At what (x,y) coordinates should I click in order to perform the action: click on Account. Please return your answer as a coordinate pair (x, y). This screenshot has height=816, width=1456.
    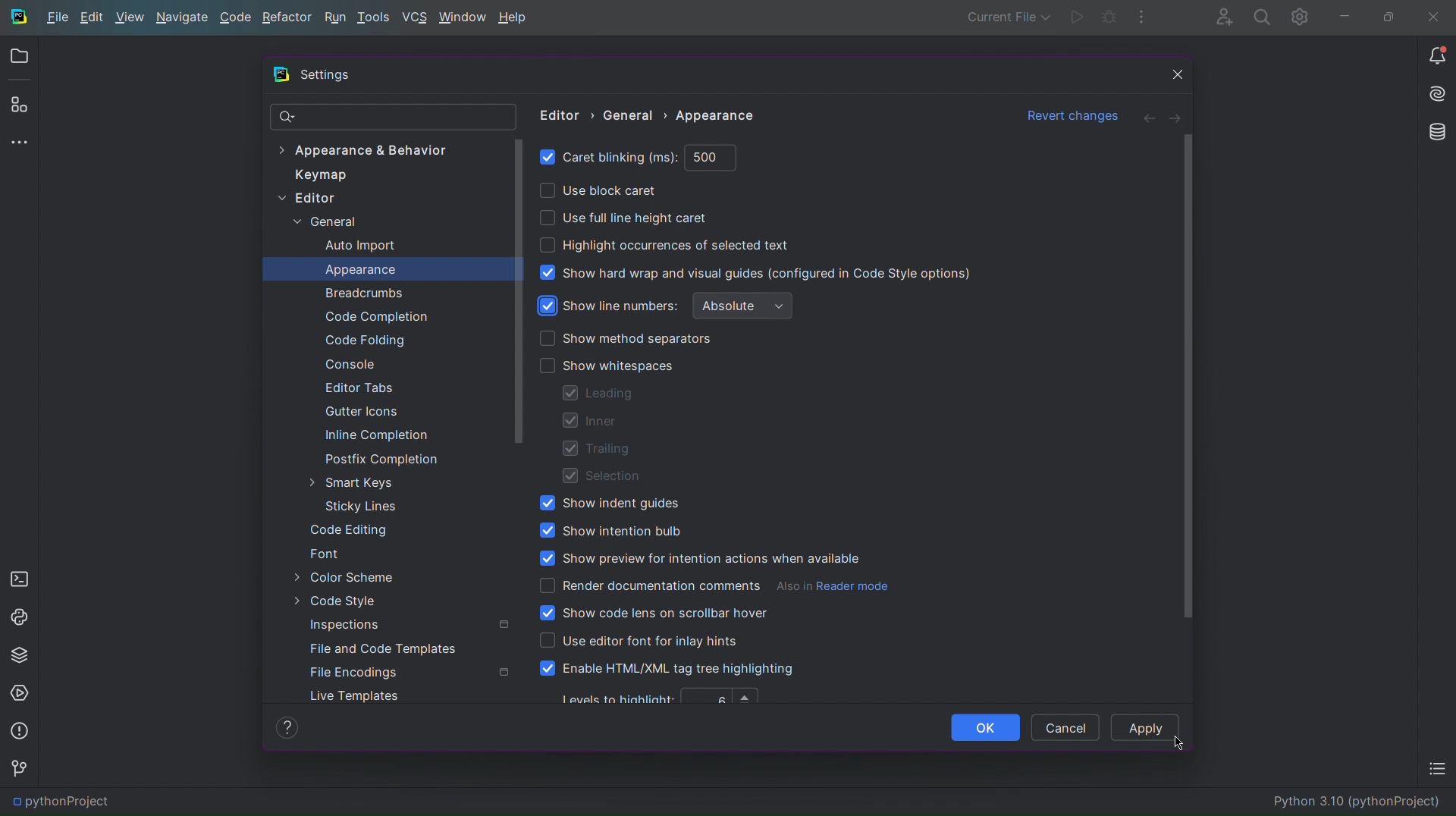
    Looking at the image, I should click on (1217, 17).